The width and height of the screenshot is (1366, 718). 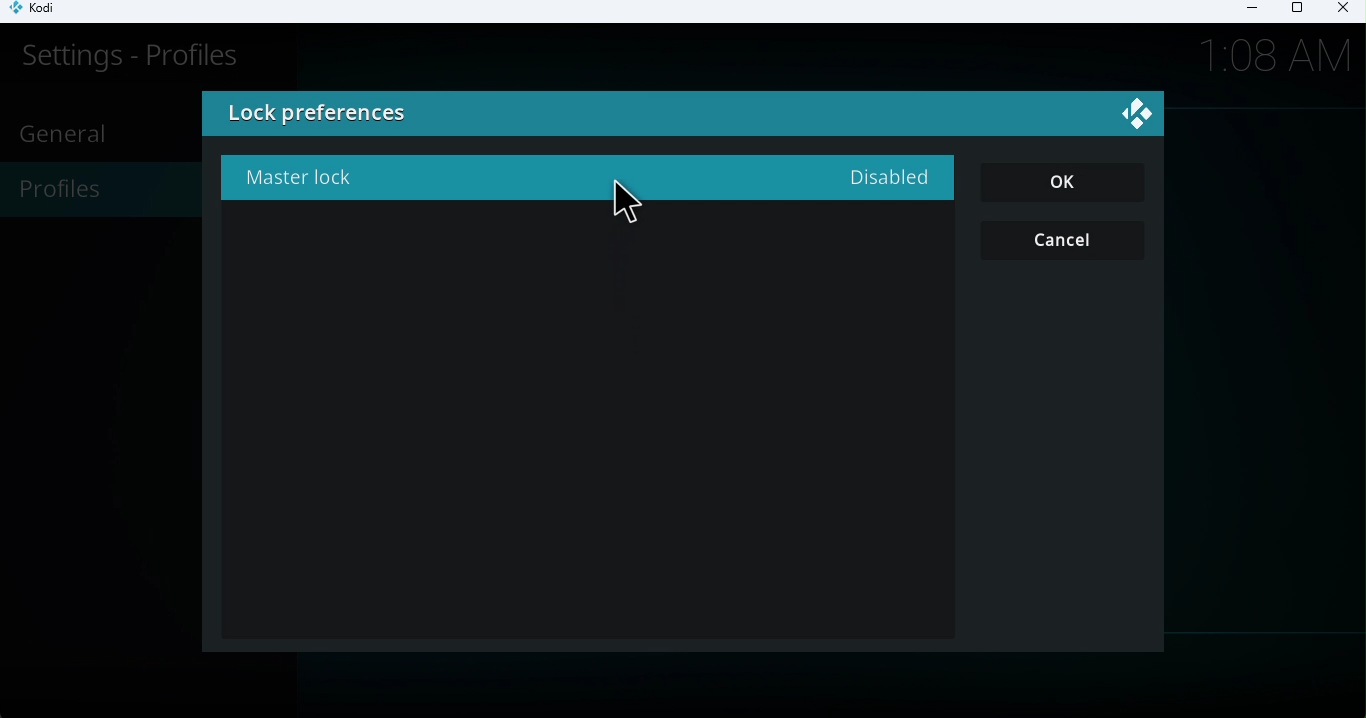 What do you see at coordinates (634, 208) in the screenshot?
I see `cursor` at bounding box center [634, 208].